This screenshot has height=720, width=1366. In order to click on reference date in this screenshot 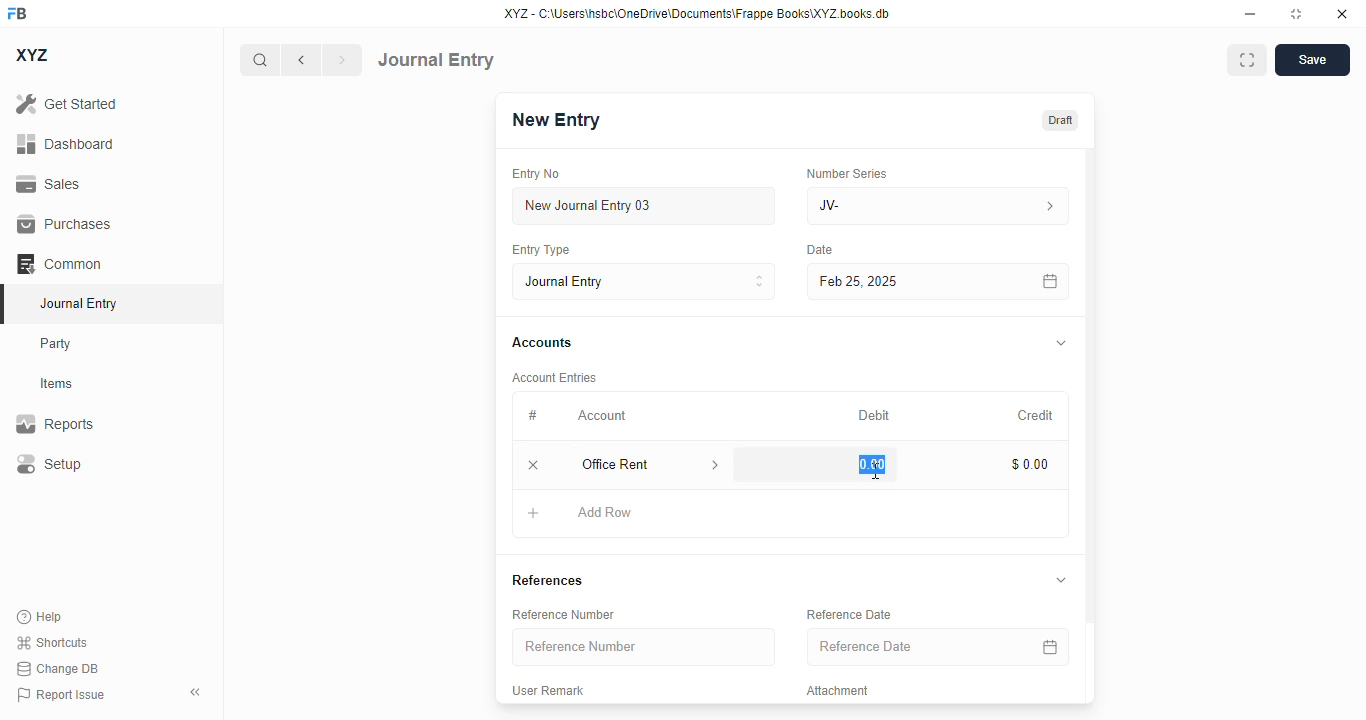, I will do `click(897, 646)`.